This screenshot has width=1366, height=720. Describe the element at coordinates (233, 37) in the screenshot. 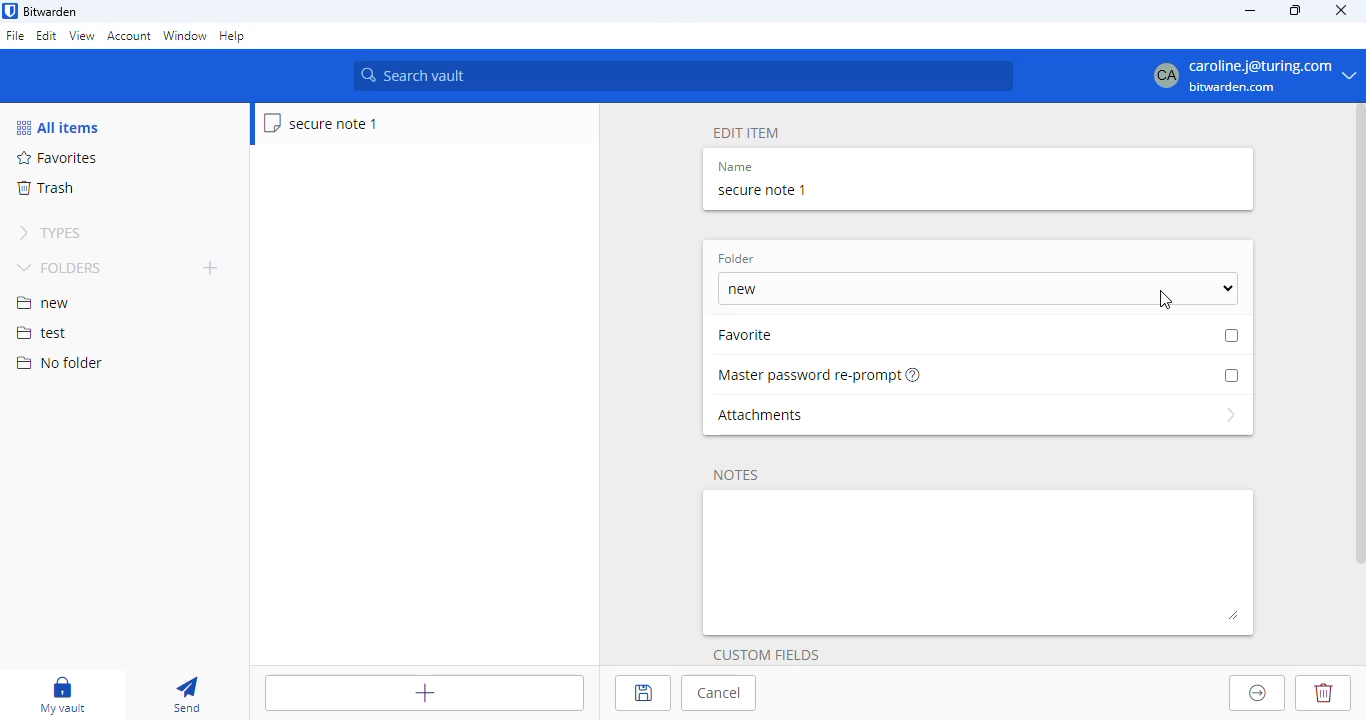

I see `help` at that location.